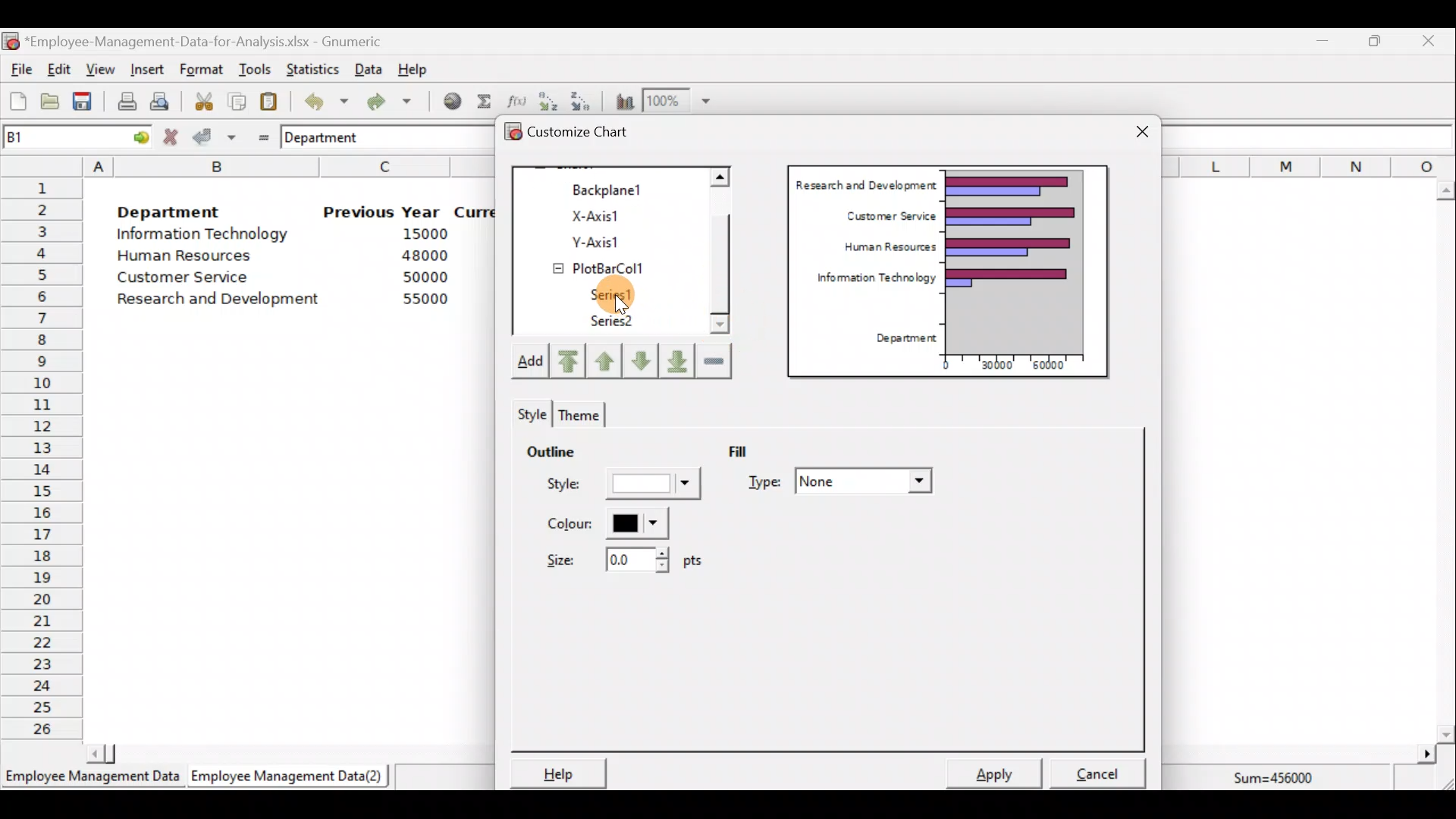 This screenshot has width=1456, height=819. Describe the element at coordinates (714, 359) in the screenshot. I see `Remove` at that location.